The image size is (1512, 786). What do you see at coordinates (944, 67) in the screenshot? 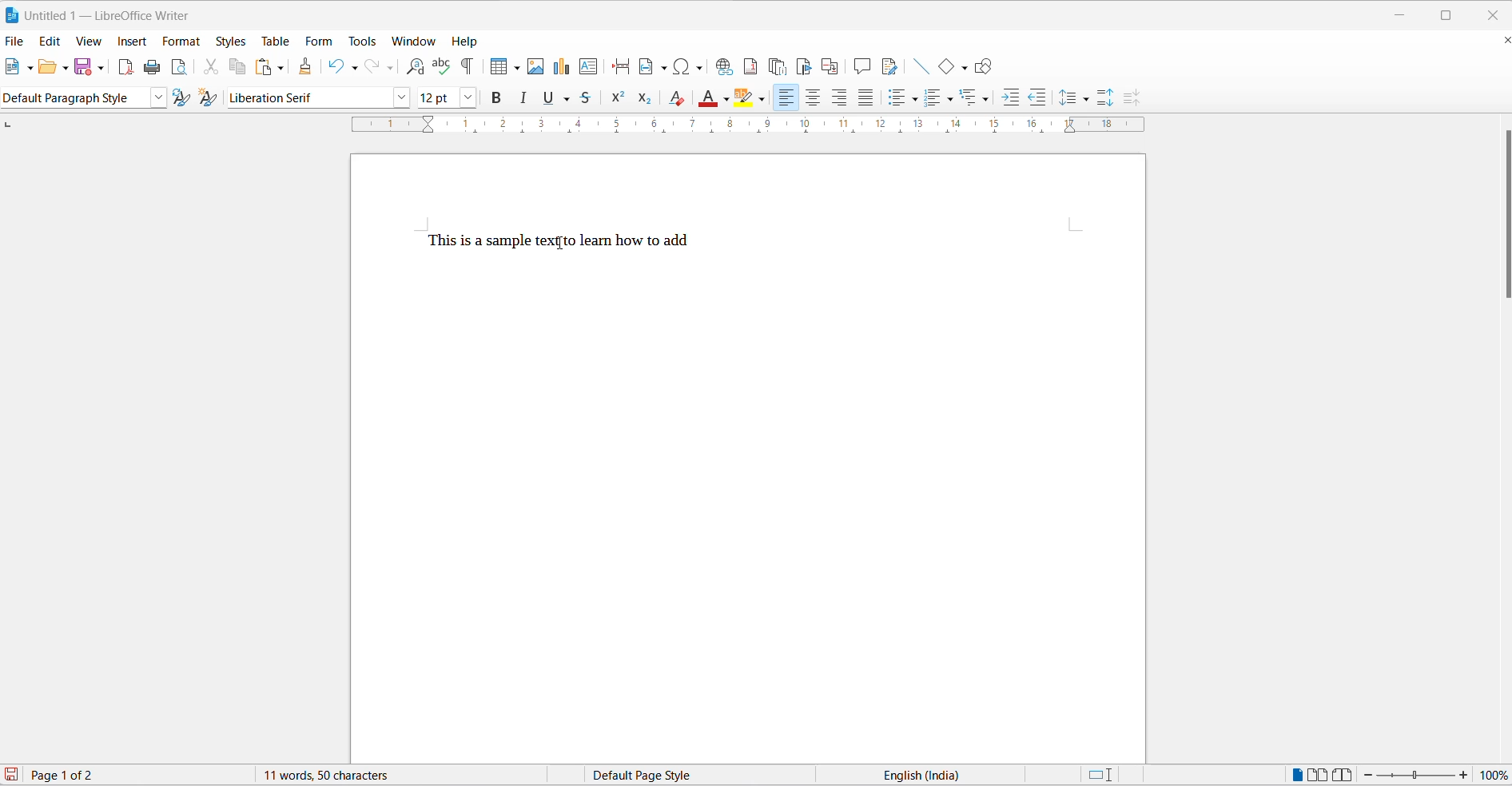
I see `basic shapes` at bounding box center [944, 67].